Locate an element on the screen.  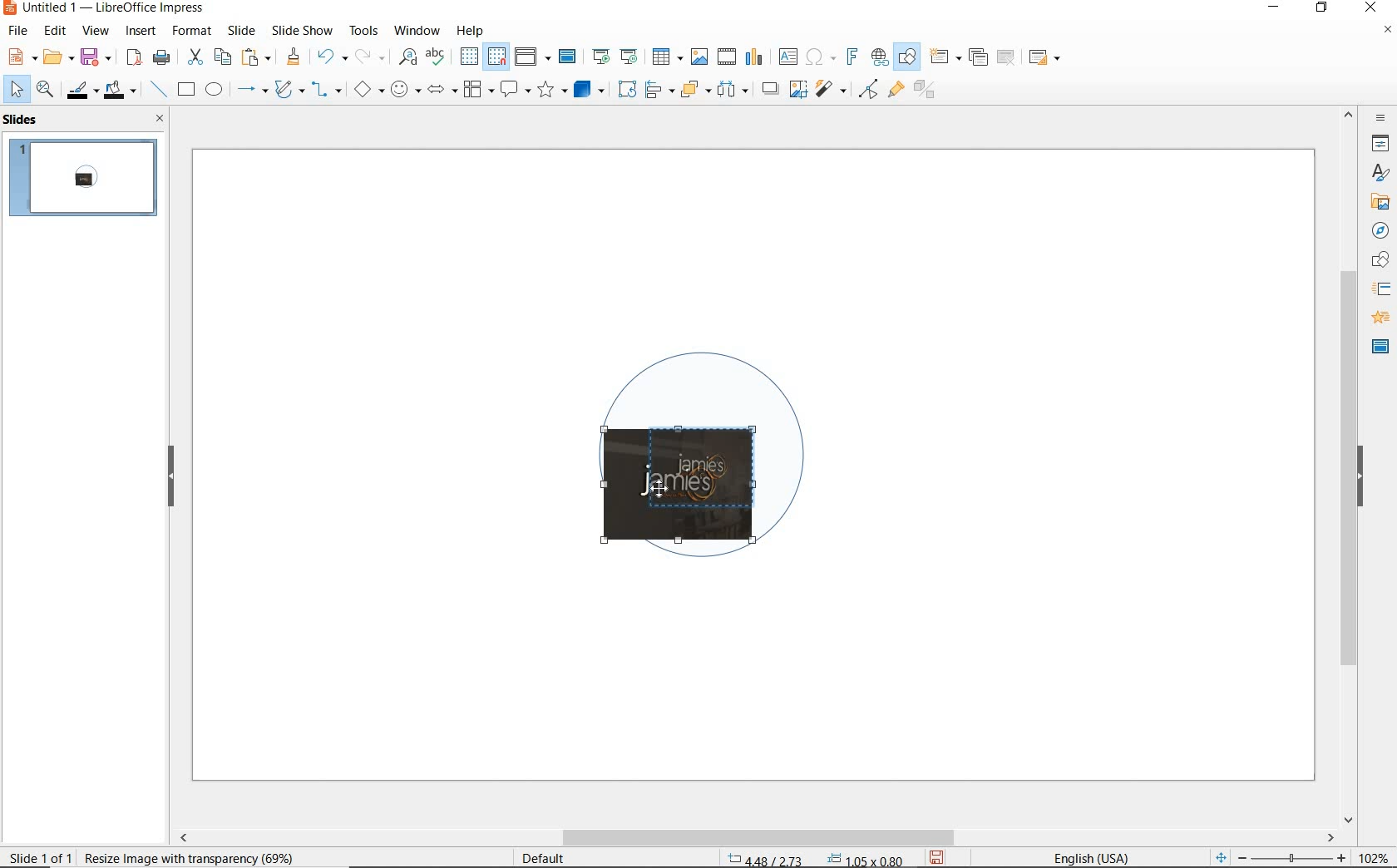
lines & arrows is located at coordinates (251, 91).